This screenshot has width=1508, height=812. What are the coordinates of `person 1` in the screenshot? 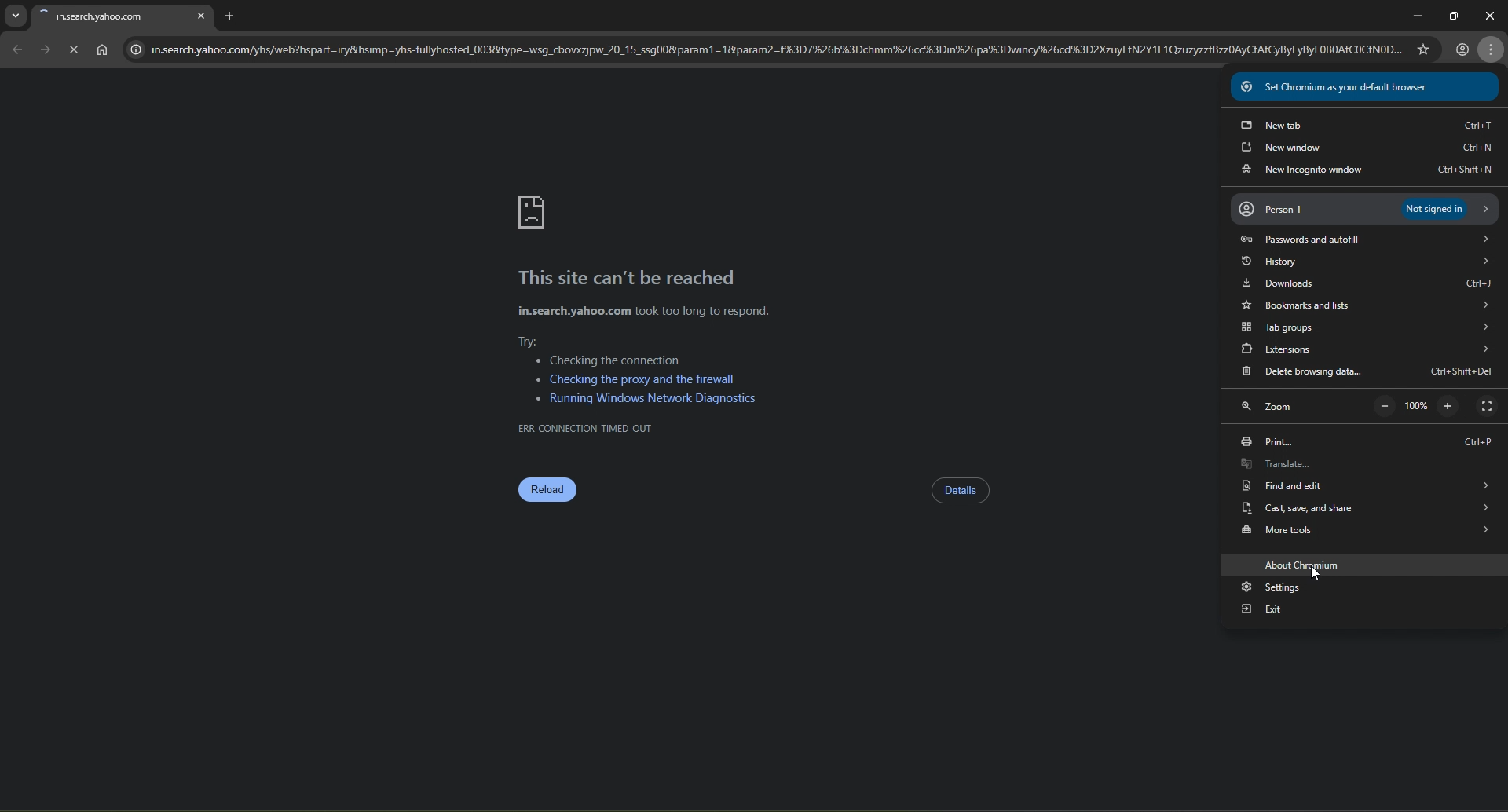 It's located at (1365, 208).